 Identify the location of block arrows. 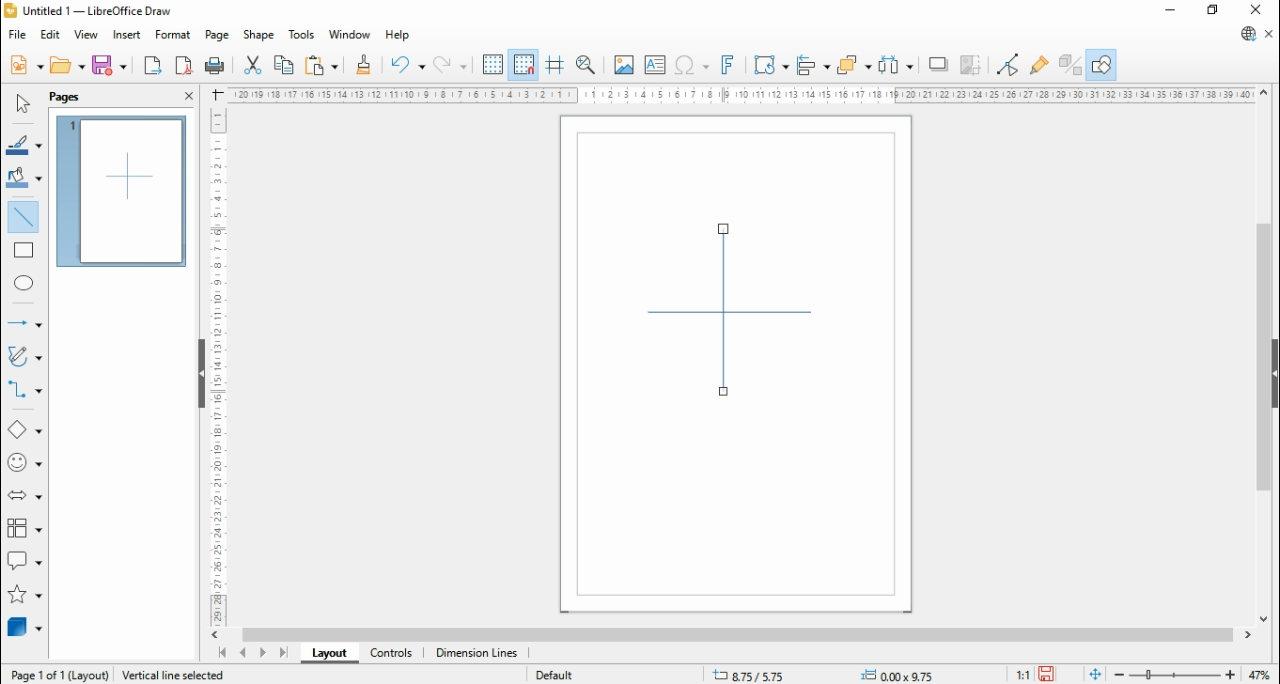
(24, 496).